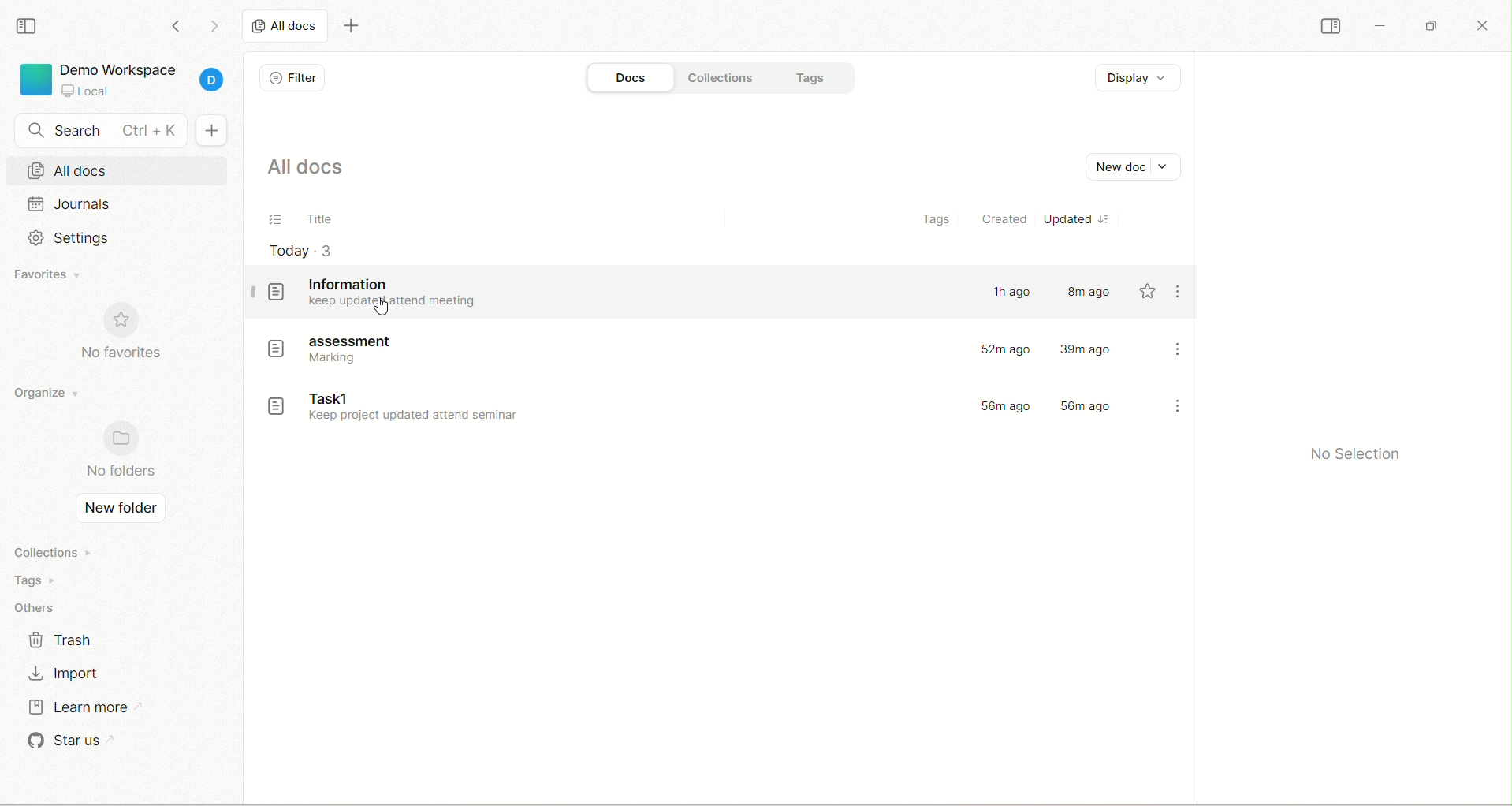 This screenshot has height=806, width=1512. What do you see at coordinates (1004, 218) in the screenshot?
I see `created` at bounding box center [1004, 218].